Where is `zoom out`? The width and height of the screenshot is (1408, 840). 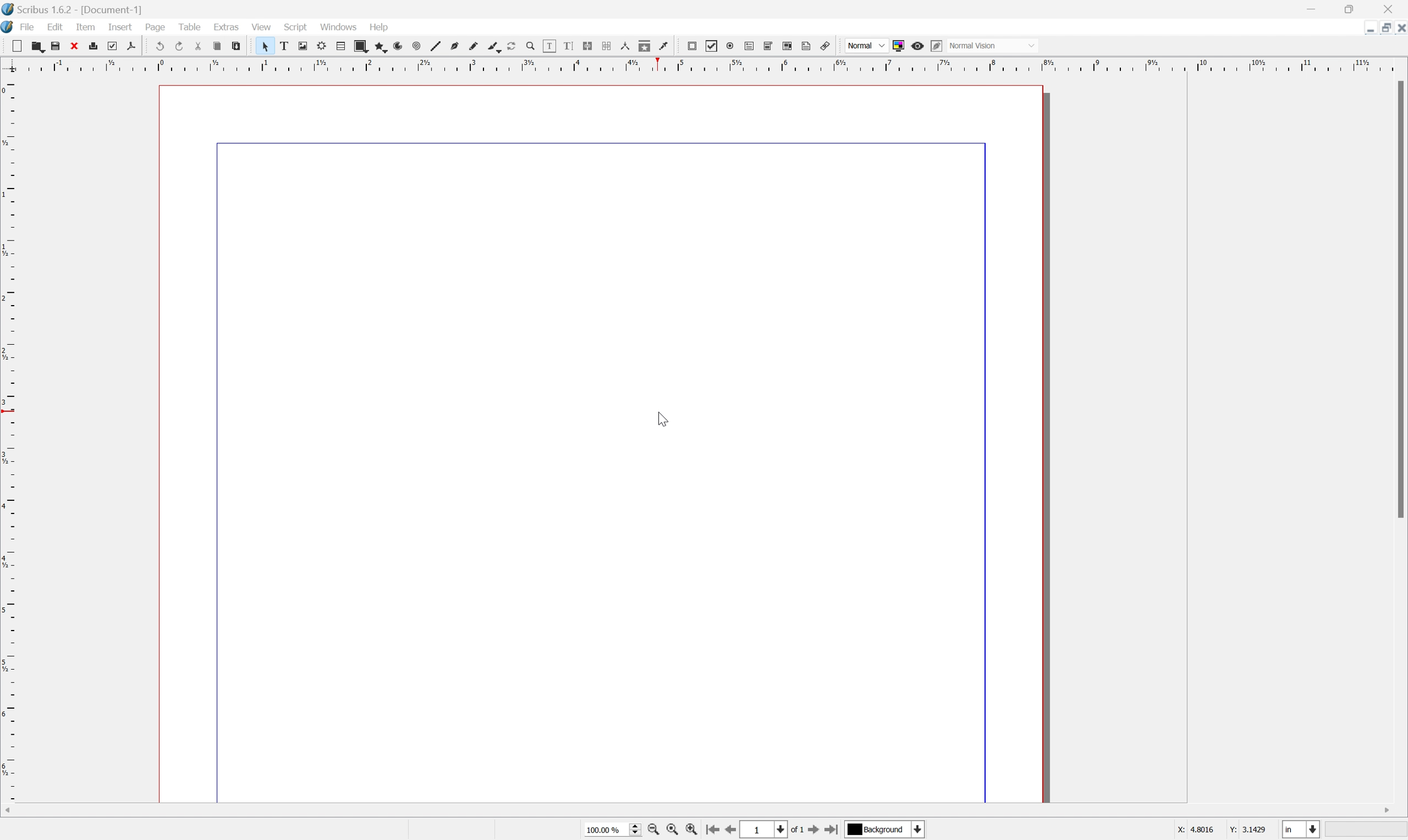
zoom out is located at coordinates (671, 830).